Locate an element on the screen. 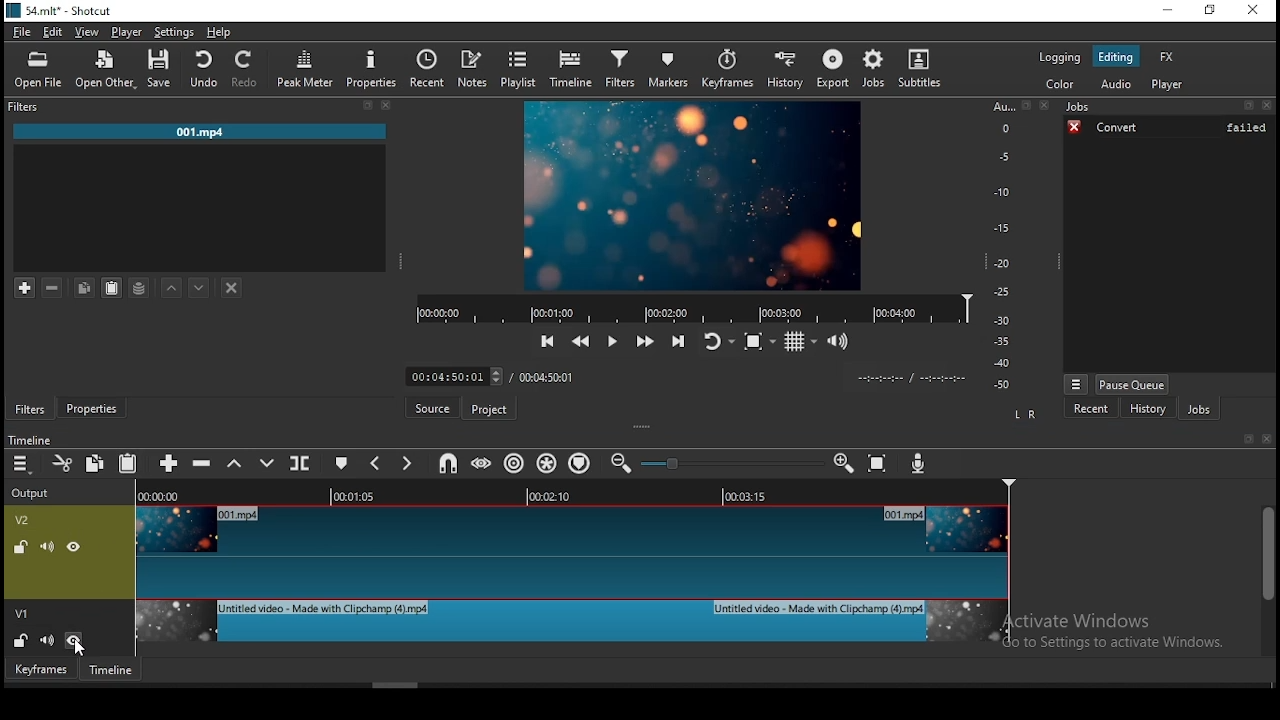  export is located at coordinates (831, 69).